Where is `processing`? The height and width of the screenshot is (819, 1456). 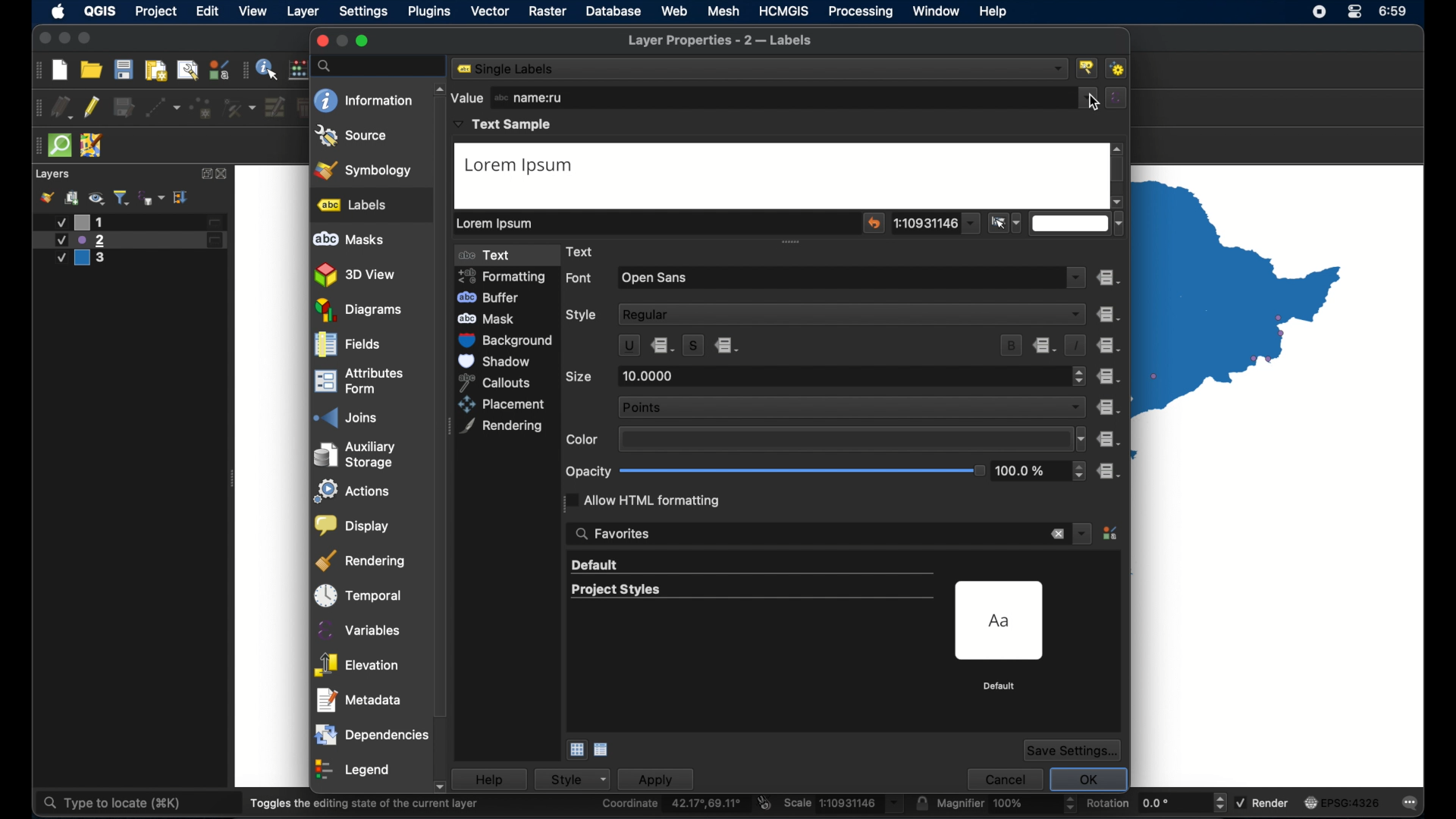
processing is located at coordinates (860, 11).